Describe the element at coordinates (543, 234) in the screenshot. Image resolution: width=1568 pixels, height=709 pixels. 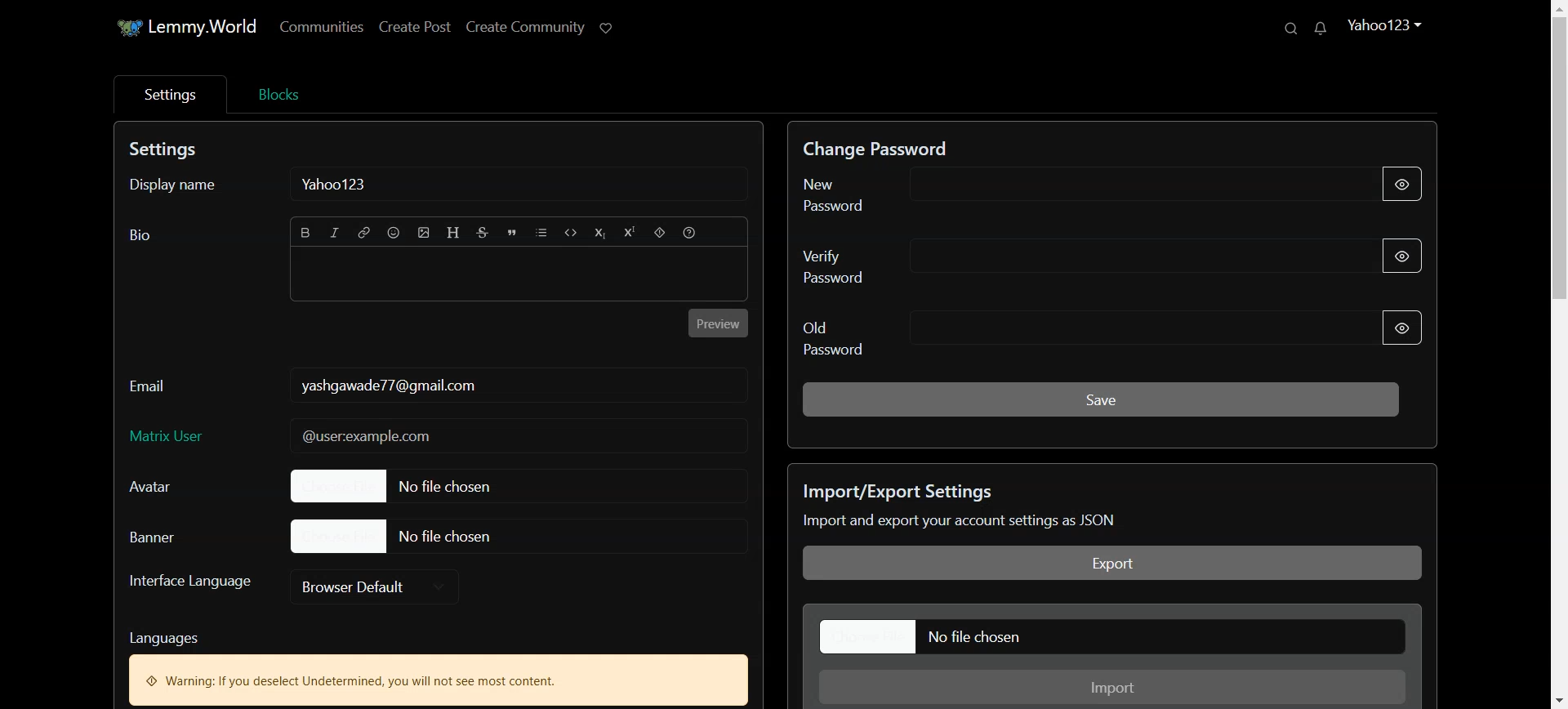
I see `List` at that location.